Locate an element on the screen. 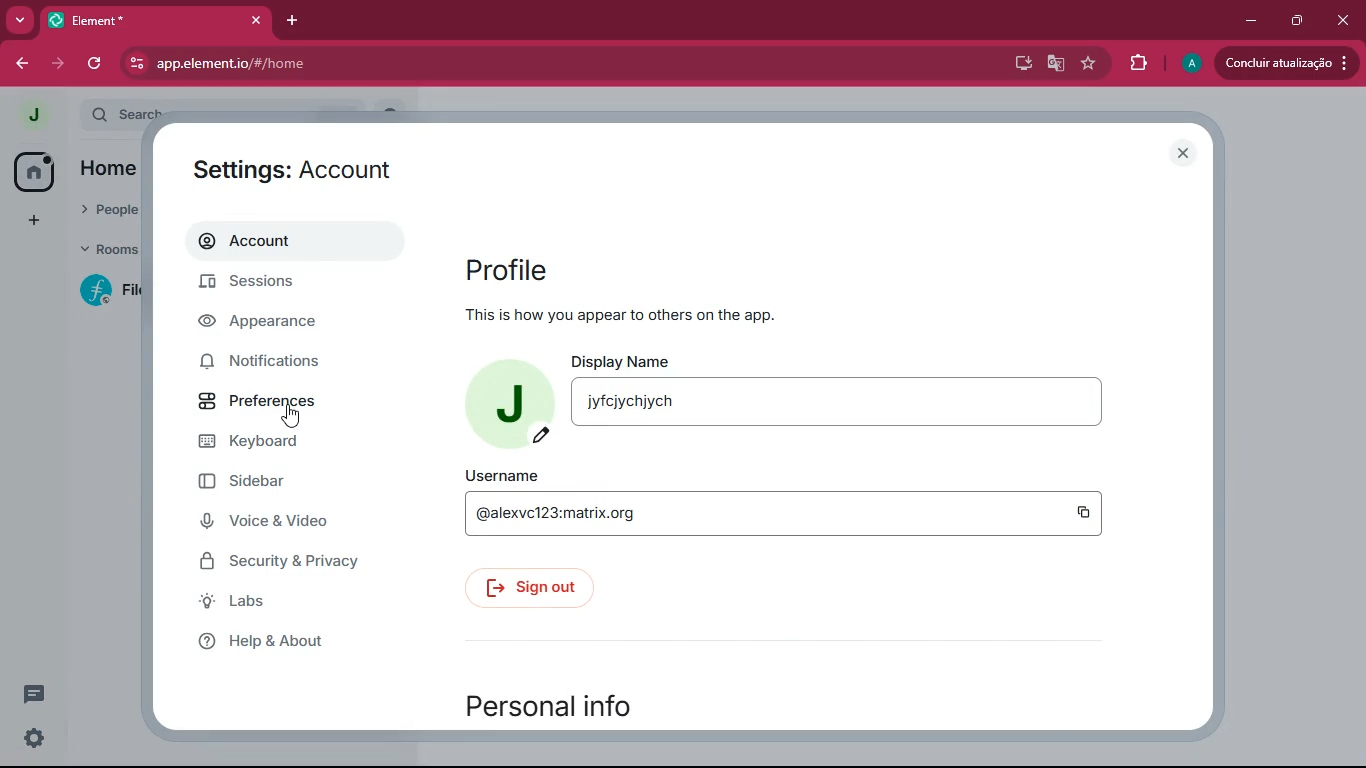  edit username is located at coordinates (728, 513).